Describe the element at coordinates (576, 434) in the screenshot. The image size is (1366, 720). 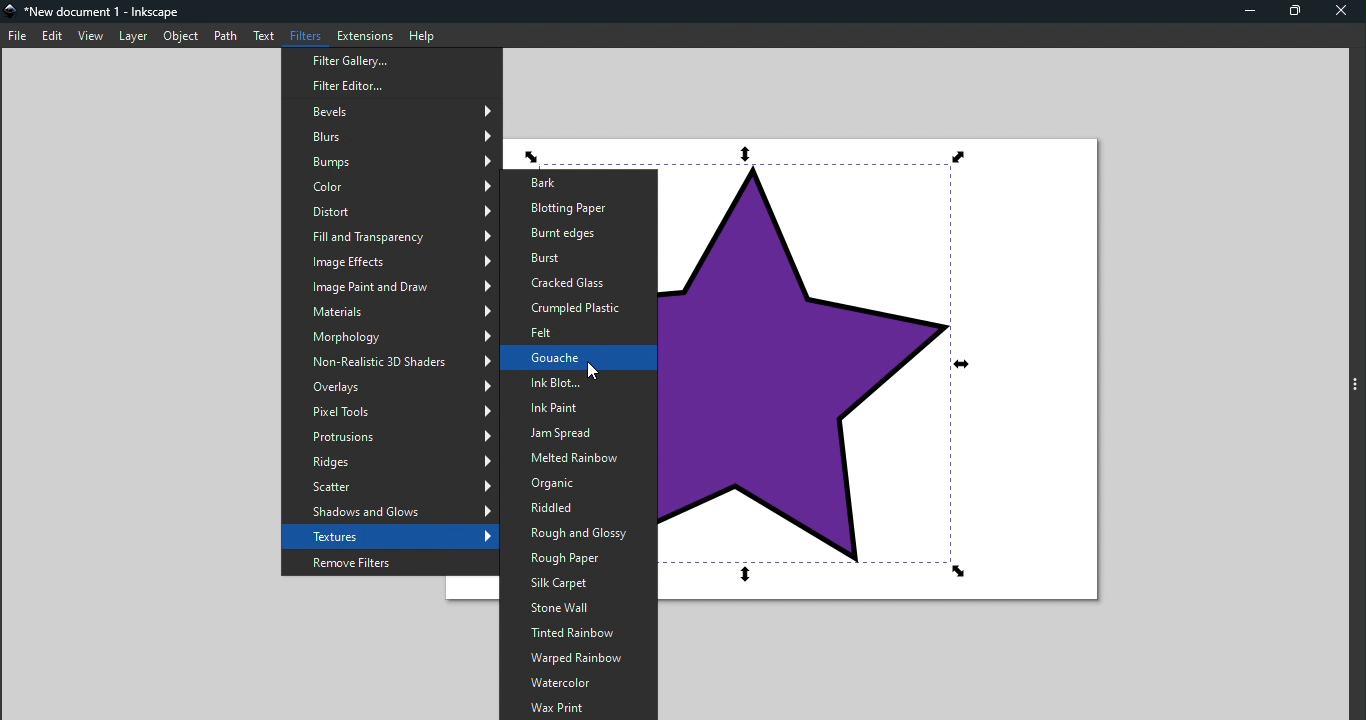
I see `Jam spread` at that location.